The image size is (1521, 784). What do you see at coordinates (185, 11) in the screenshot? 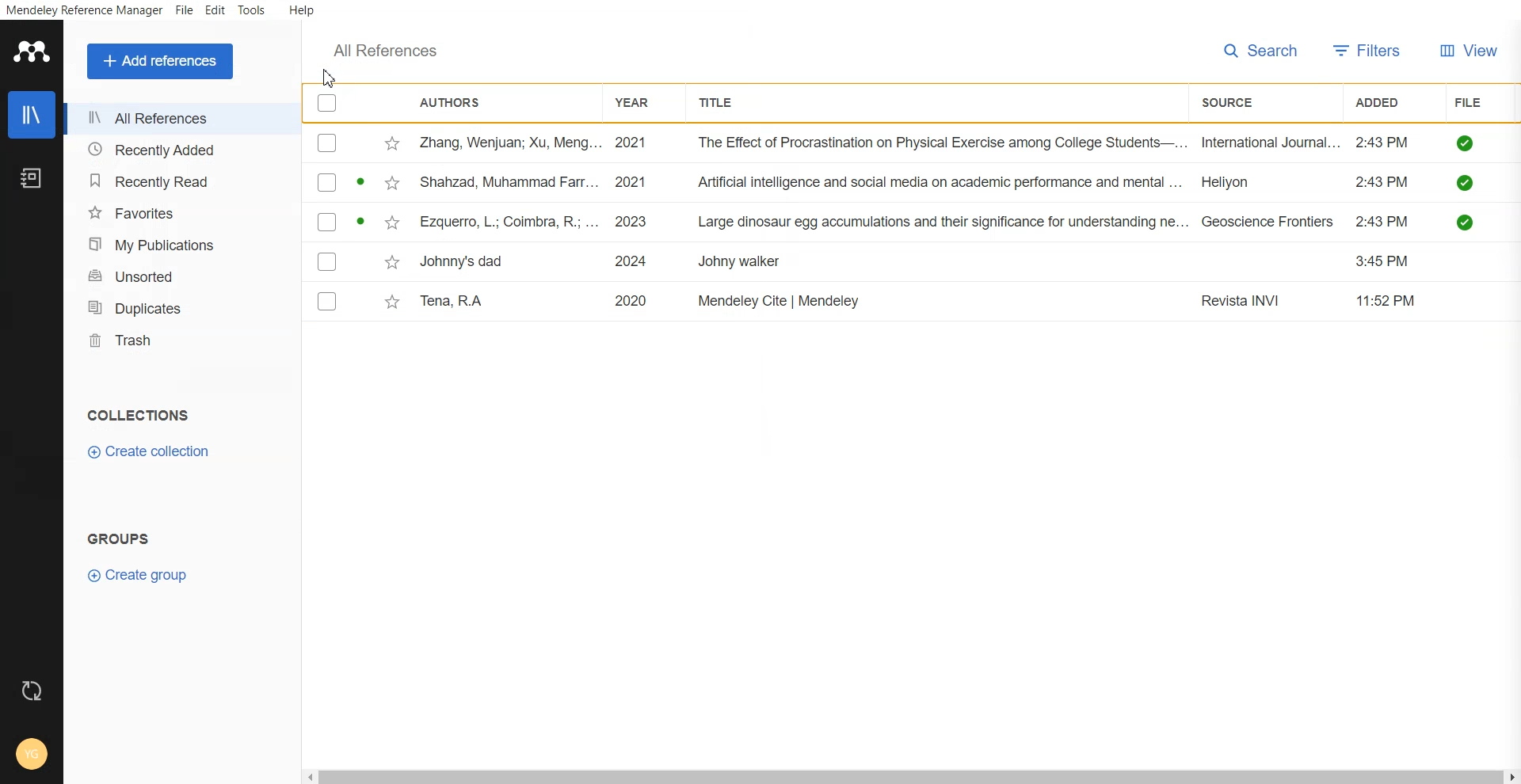
I see `File` at bounding box center [185, 11].